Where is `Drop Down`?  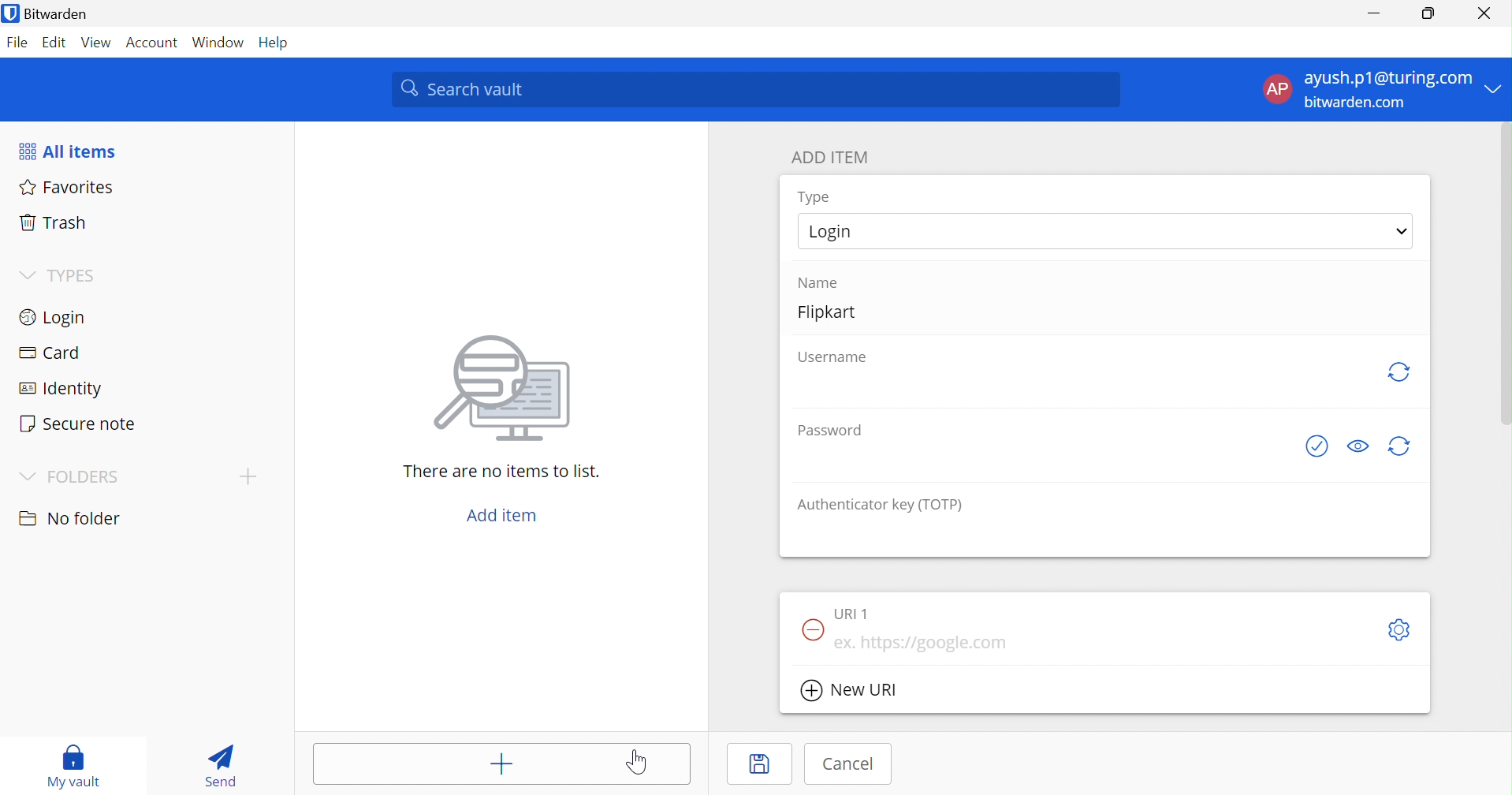
Drop Down is located at coordinates (1402, 230).